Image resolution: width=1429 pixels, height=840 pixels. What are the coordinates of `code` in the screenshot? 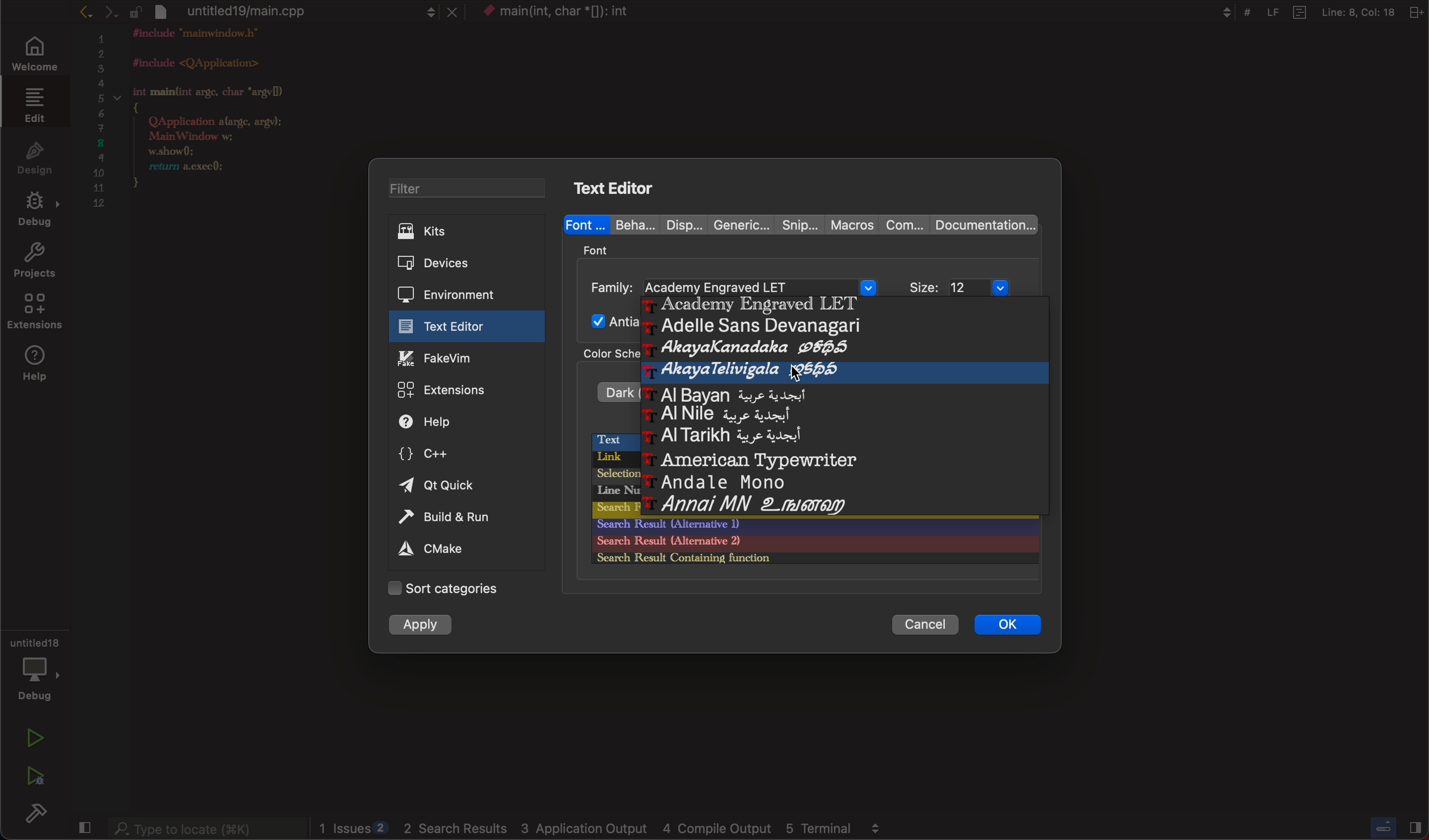 It's located at (226, 122).